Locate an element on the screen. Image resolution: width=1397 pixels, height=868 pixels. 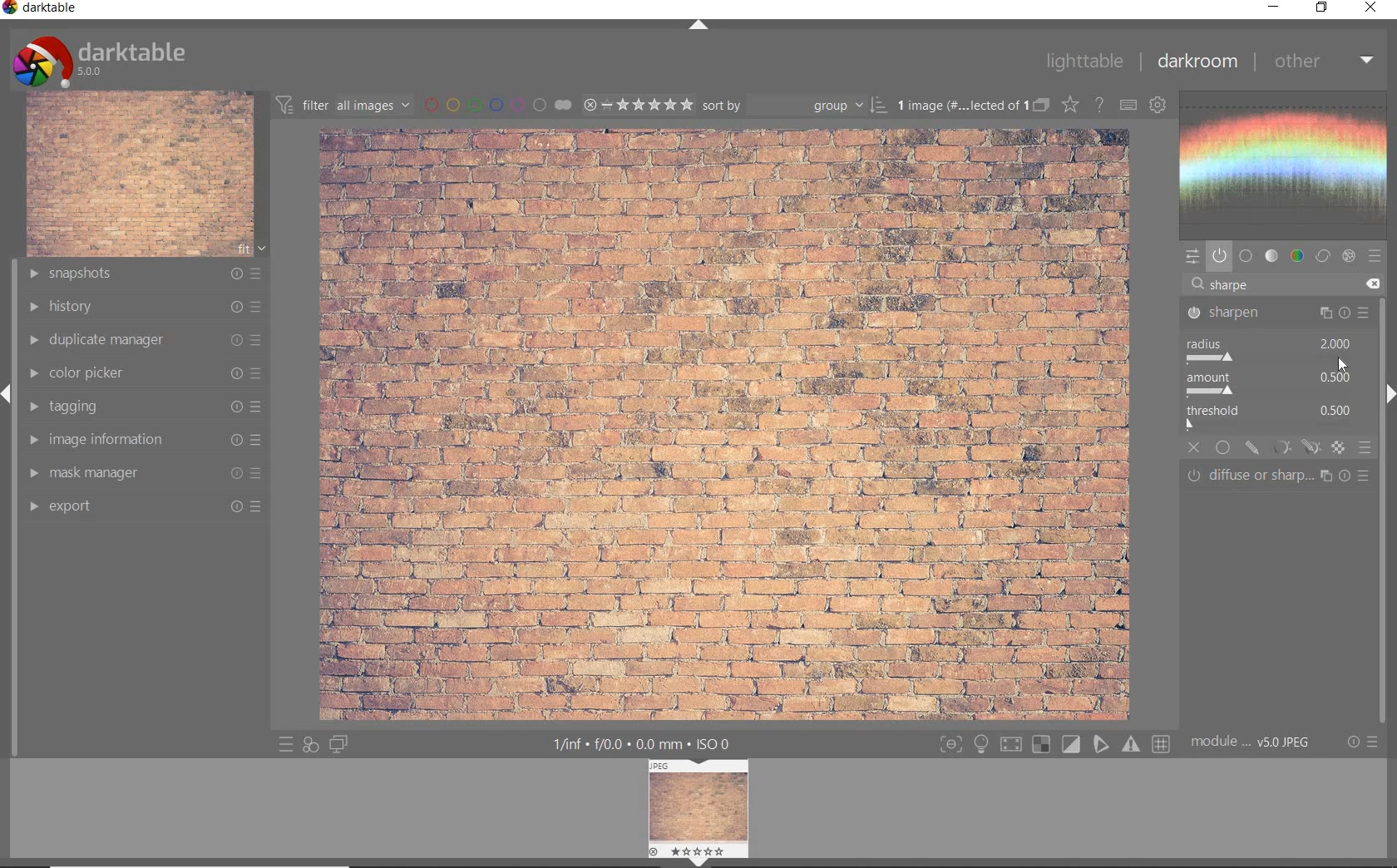
reset or preset preference is located at coordinates (1360, 742).